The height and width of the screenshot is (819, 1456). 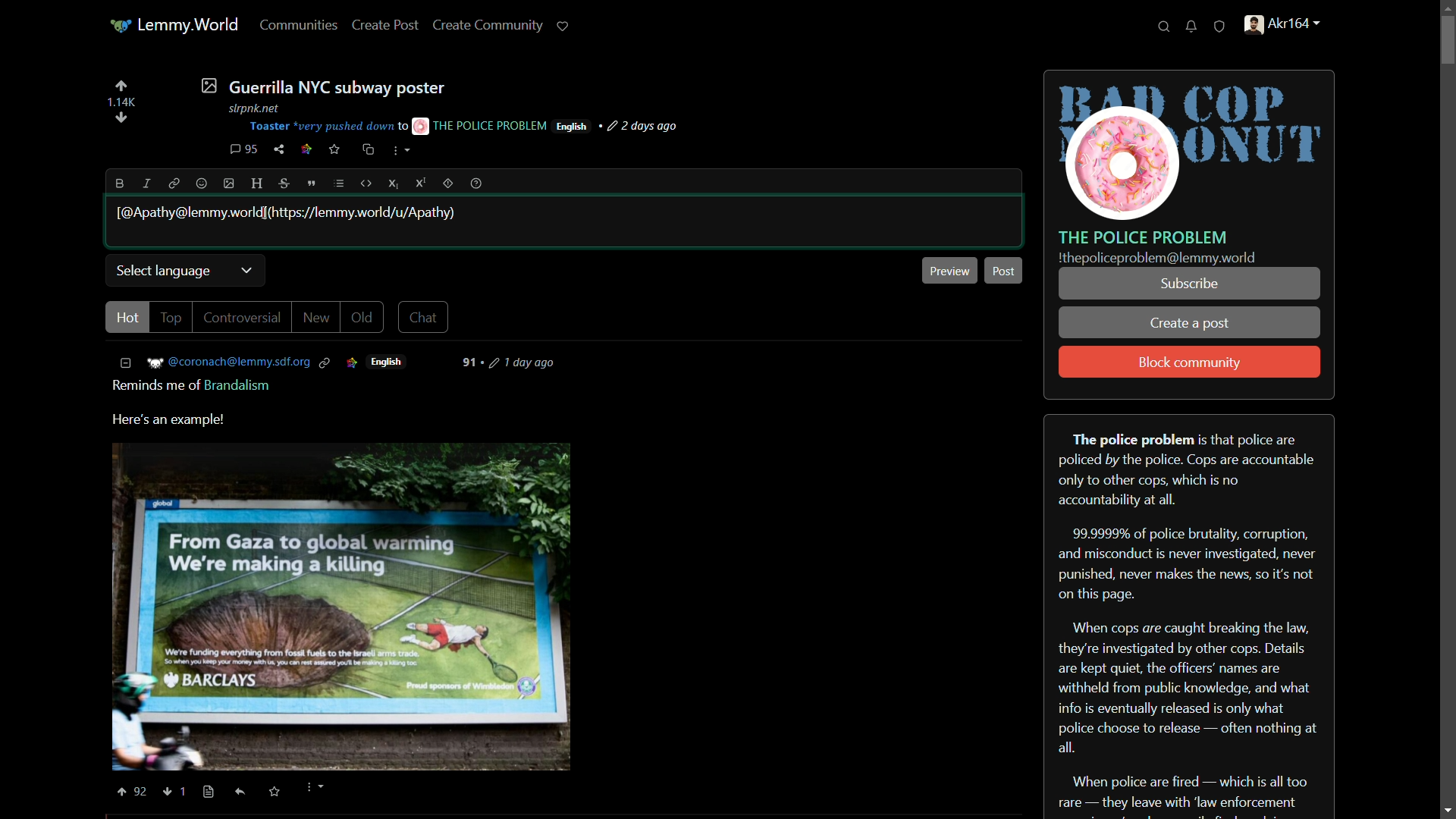 I want to click on spoiler, so click(x=447, y=183).